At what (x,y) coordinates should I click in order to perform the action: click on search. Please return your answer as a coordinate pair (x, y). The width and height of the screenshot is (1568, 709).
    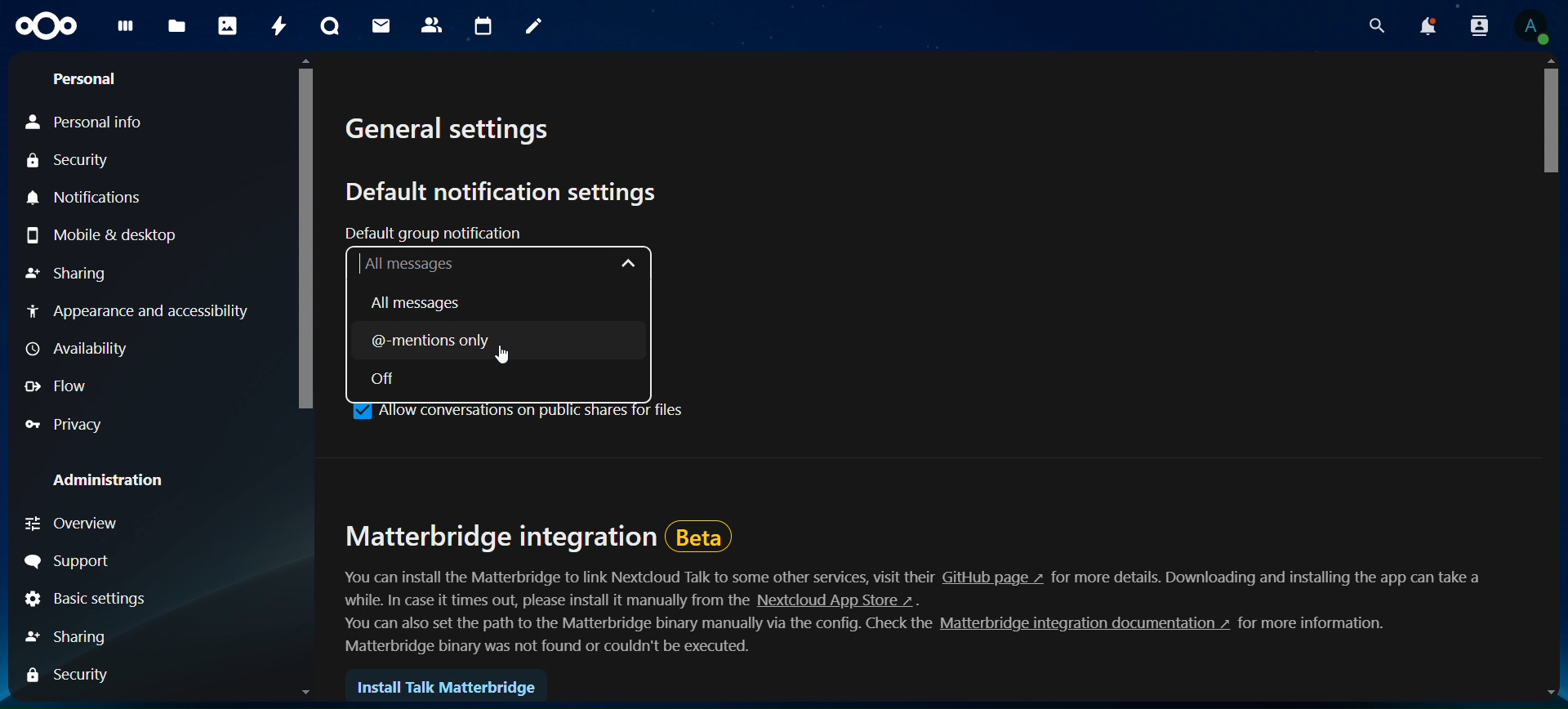
    Looking at the image, I should click on (1368, 25).